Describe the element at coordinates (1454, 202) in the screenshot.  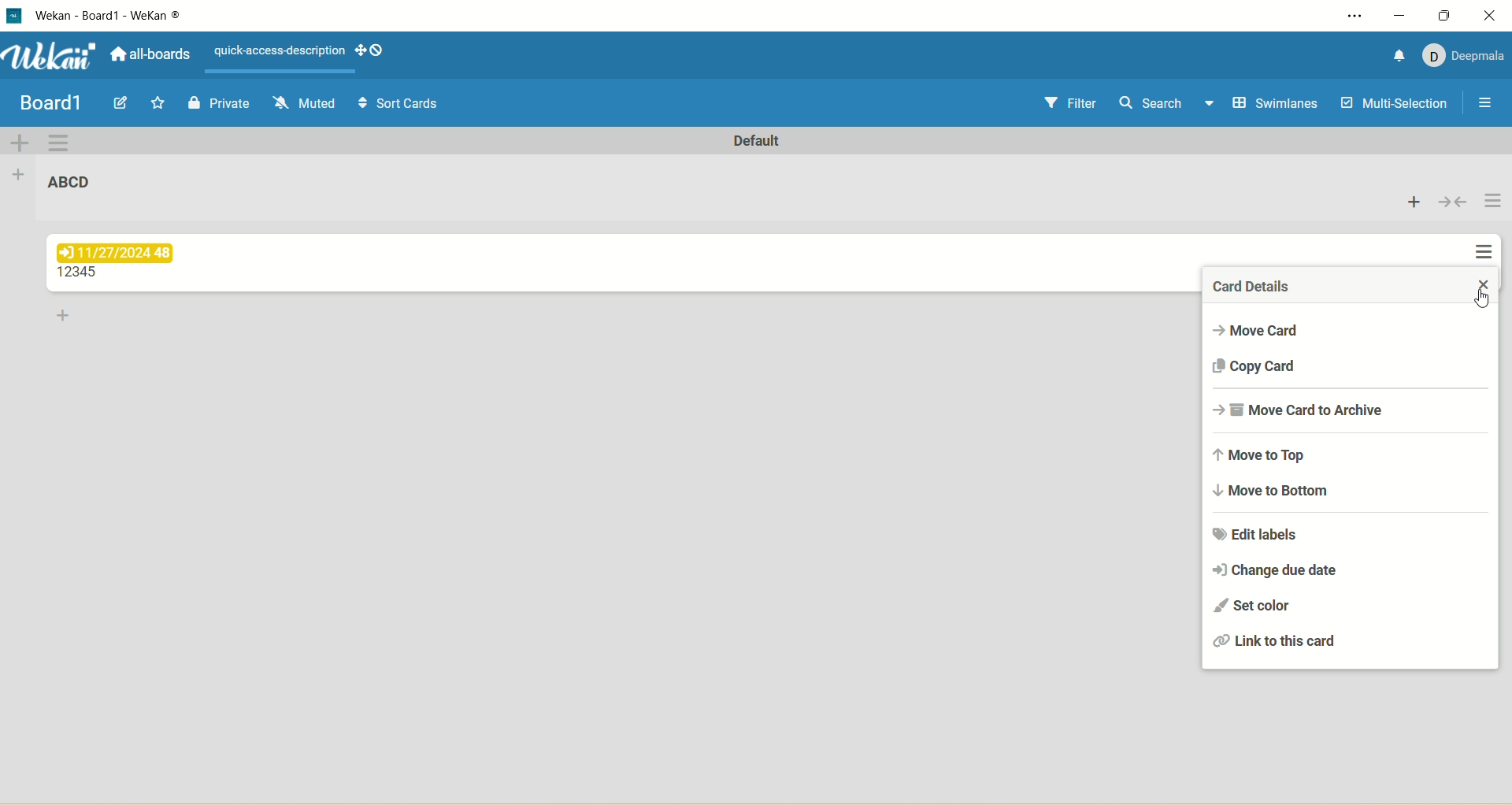
I see `collapse` at that location.